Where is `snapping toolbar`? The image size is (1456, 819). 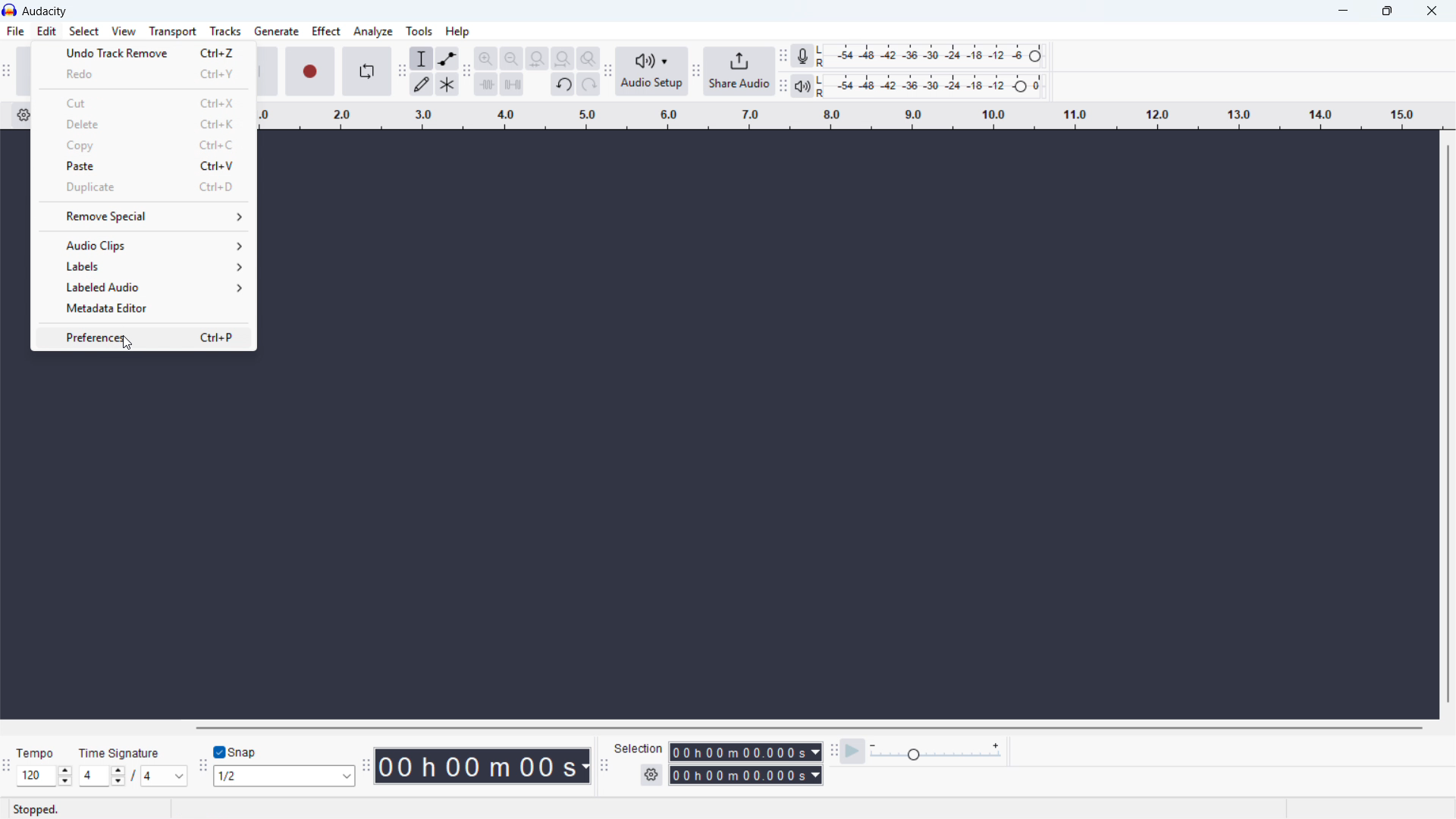 snapping toolbar is located at coordinates (202, 767).